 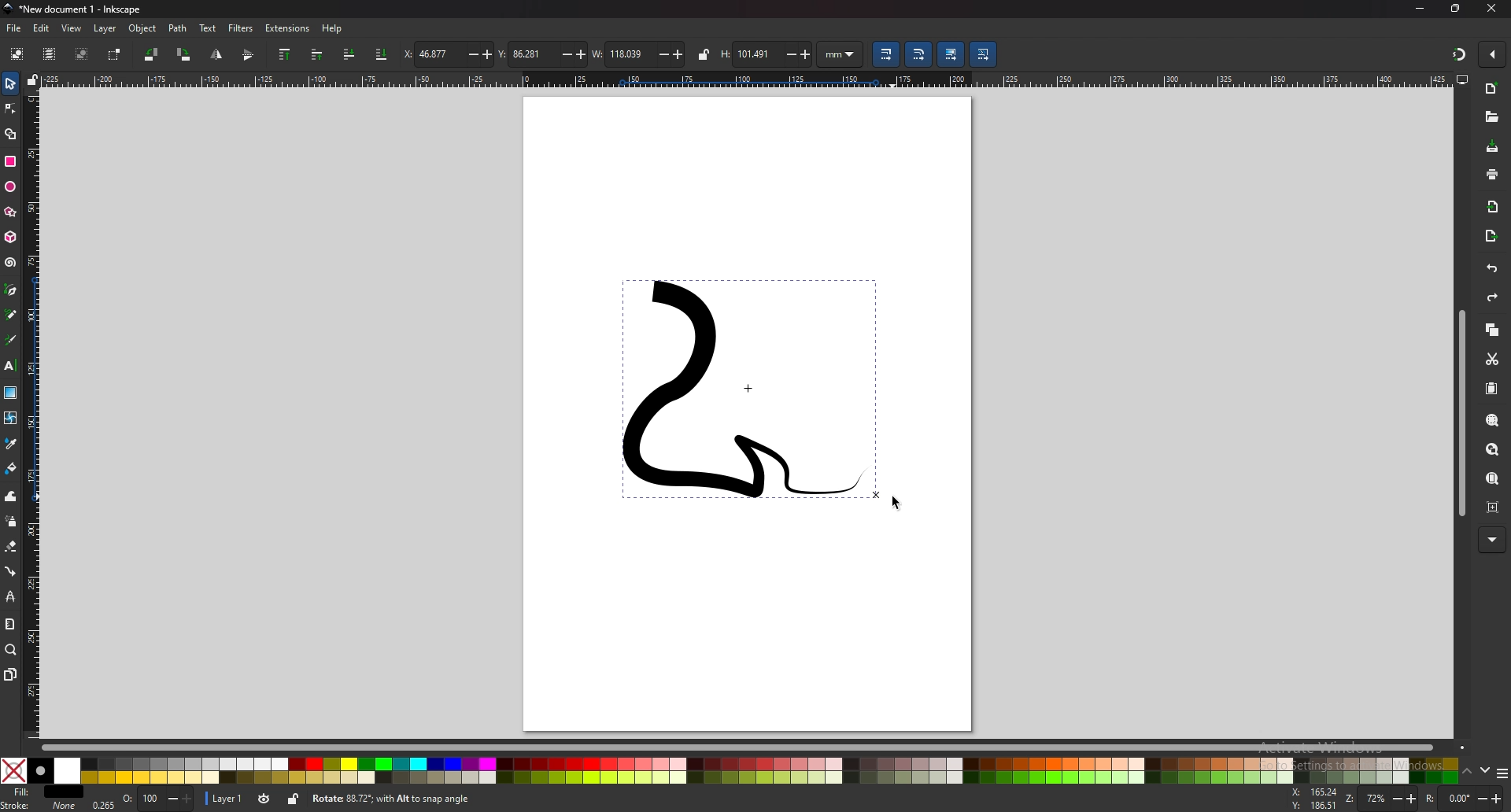 What do you see at coordinates (1493, 53) in the screenshot?
I see `enable snapping` at bounding box center [1493, 53].